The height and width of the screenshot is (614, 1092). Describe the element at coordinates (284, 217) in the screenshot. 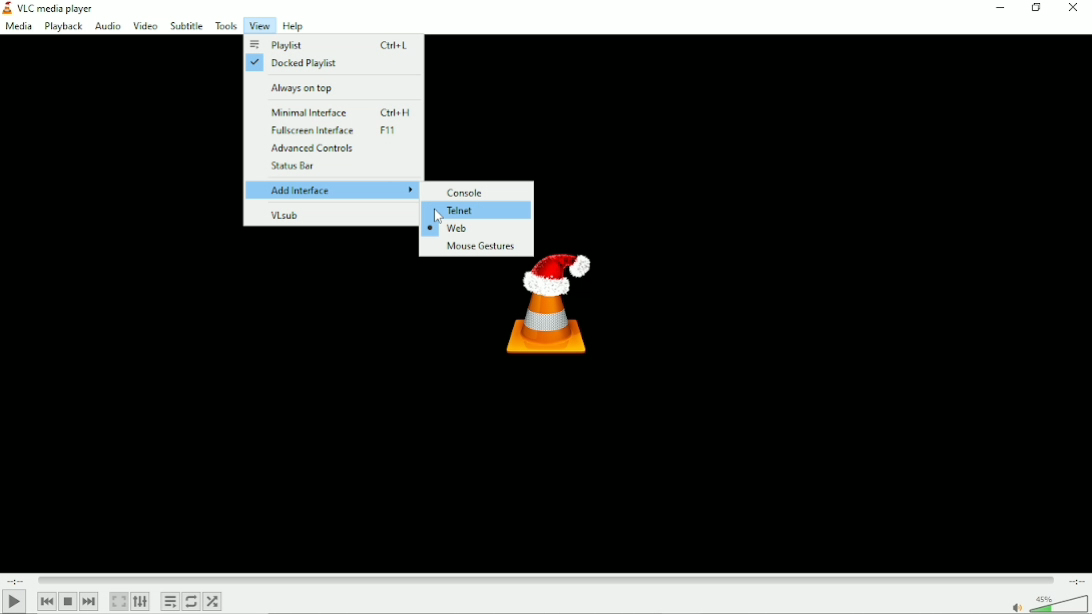

I see `VLsub` at that location.